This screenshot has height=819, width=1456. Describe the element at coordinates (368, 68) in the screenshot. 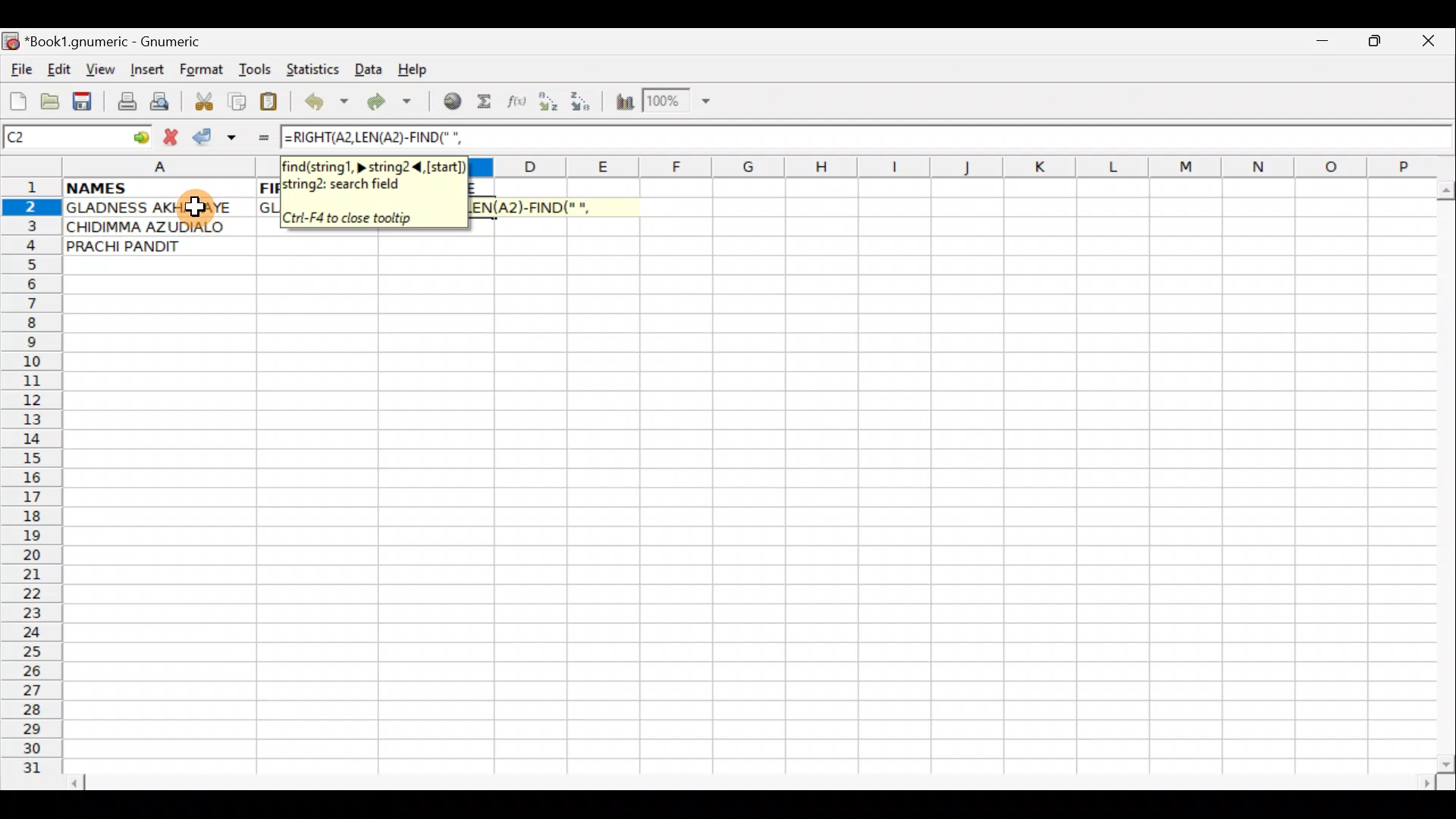

I see `Data` at that location.